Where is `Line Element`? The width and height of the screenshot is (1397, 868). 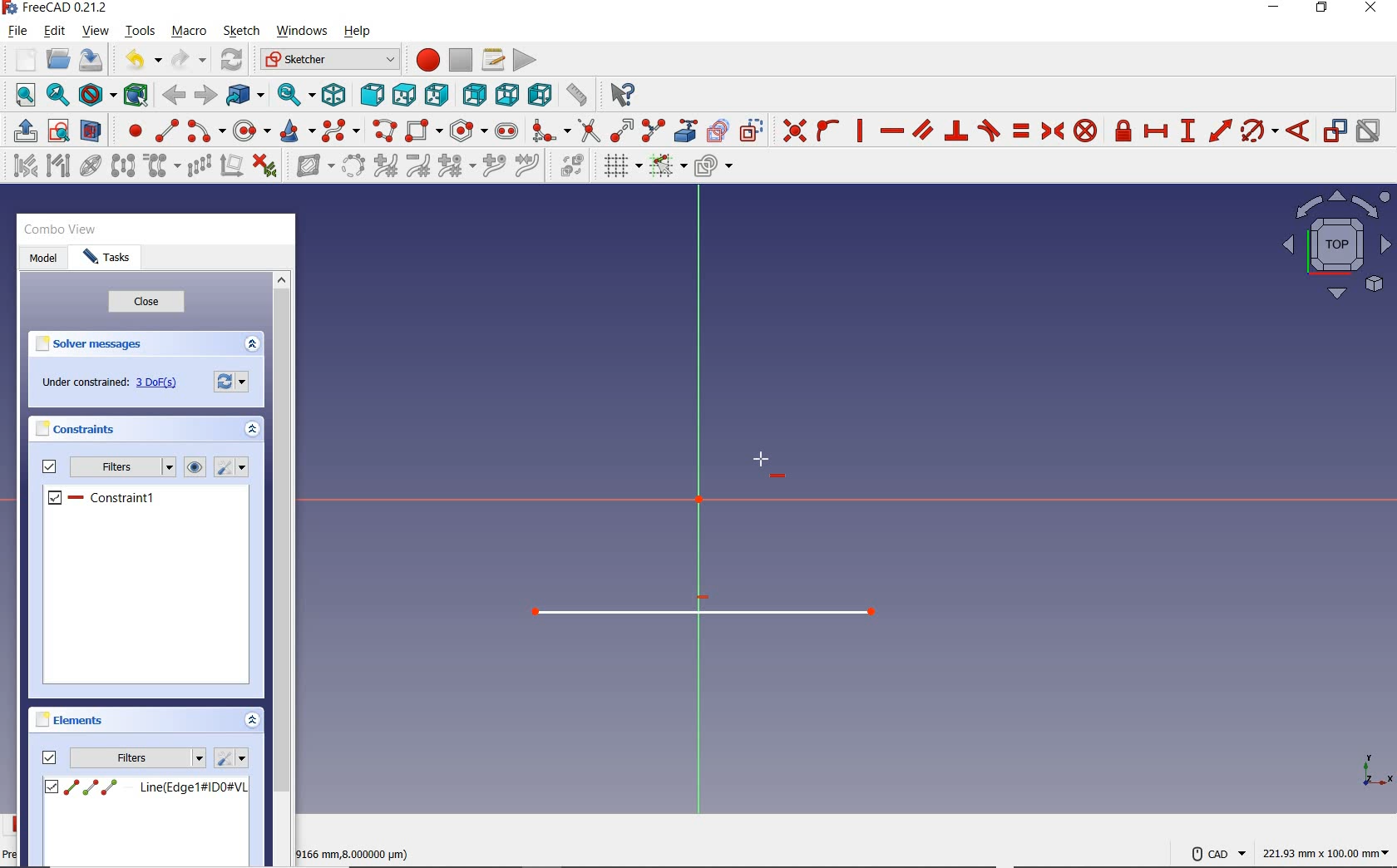
Line Element is located at coordinates (146, 787).